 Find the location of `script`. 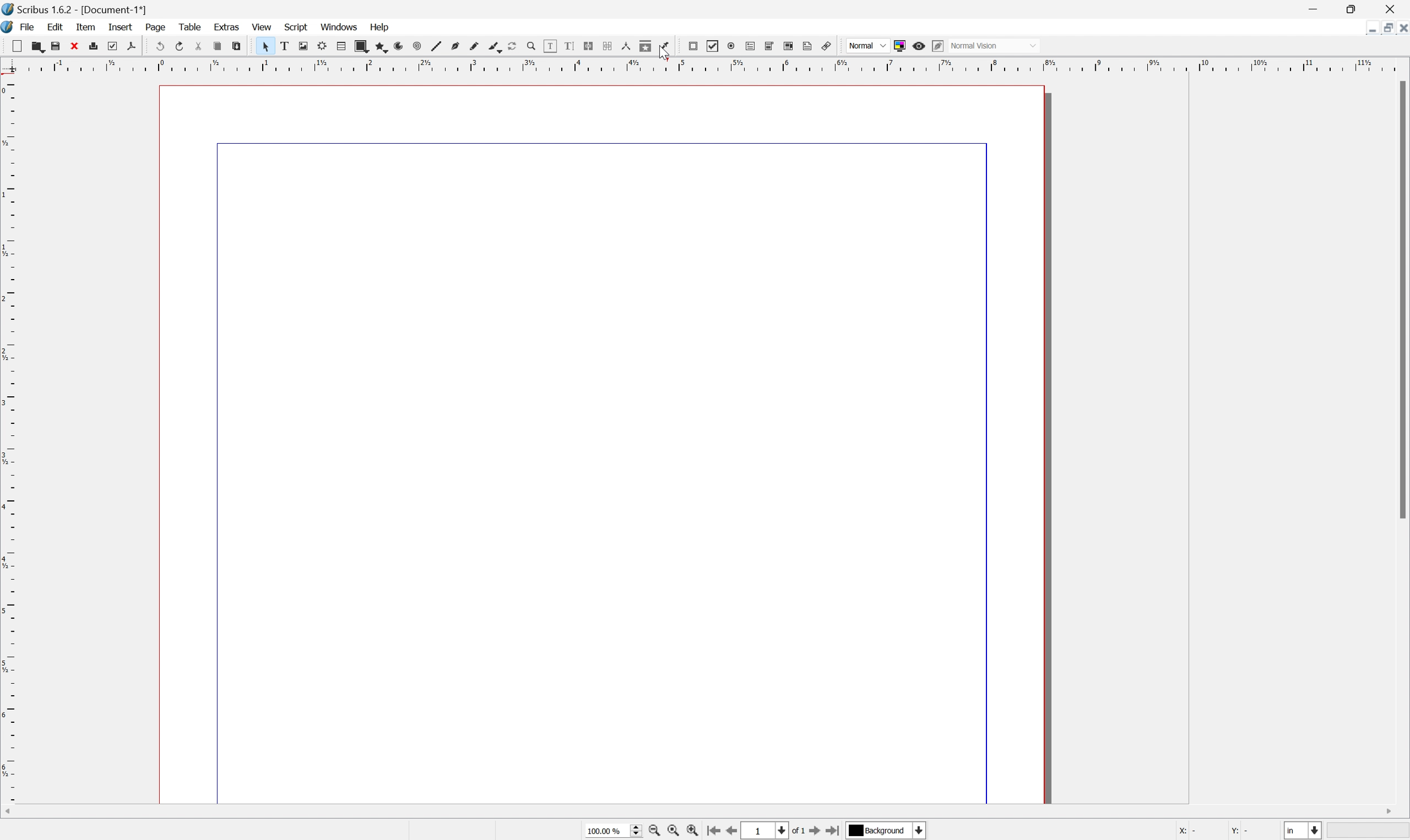

script is located at coordinates (297, 27).